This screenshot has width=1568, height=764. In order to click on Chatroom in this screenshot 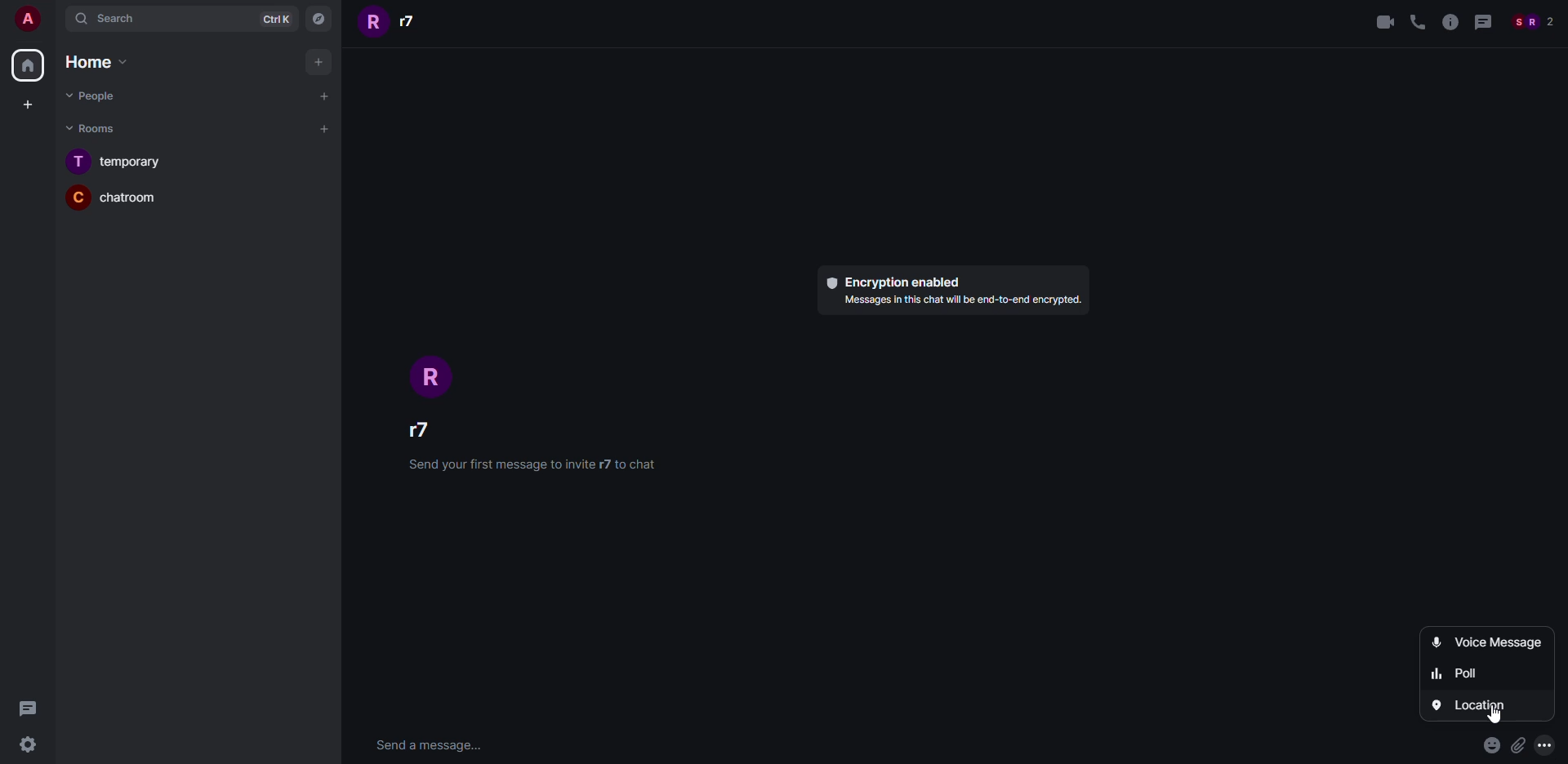, I will do `click(114, 196)`.